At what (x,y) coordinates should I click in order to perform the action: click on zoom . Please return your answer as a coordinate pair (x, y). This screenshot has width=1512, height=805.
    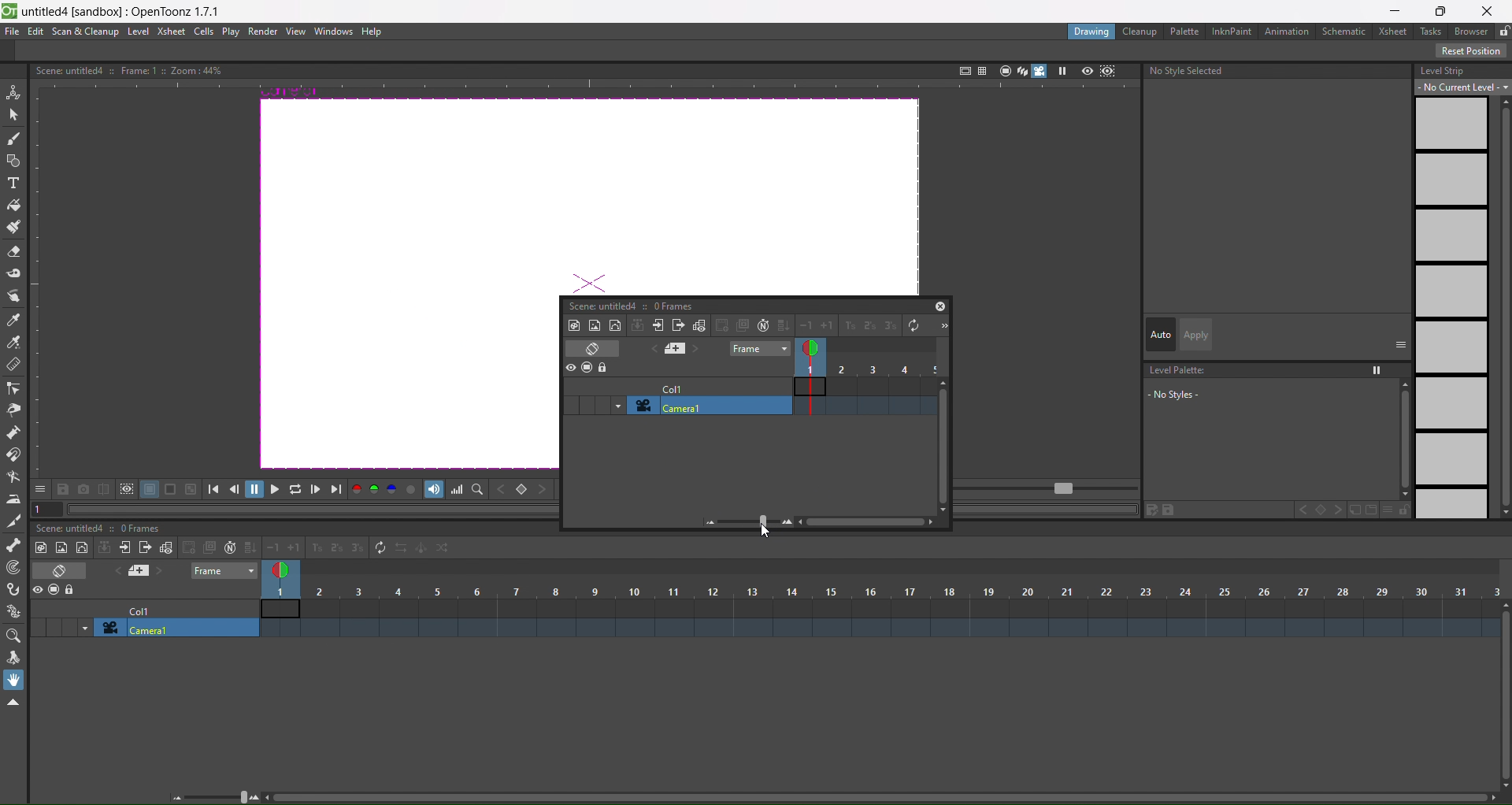
    Looking at the image, I should click on (217, 796).